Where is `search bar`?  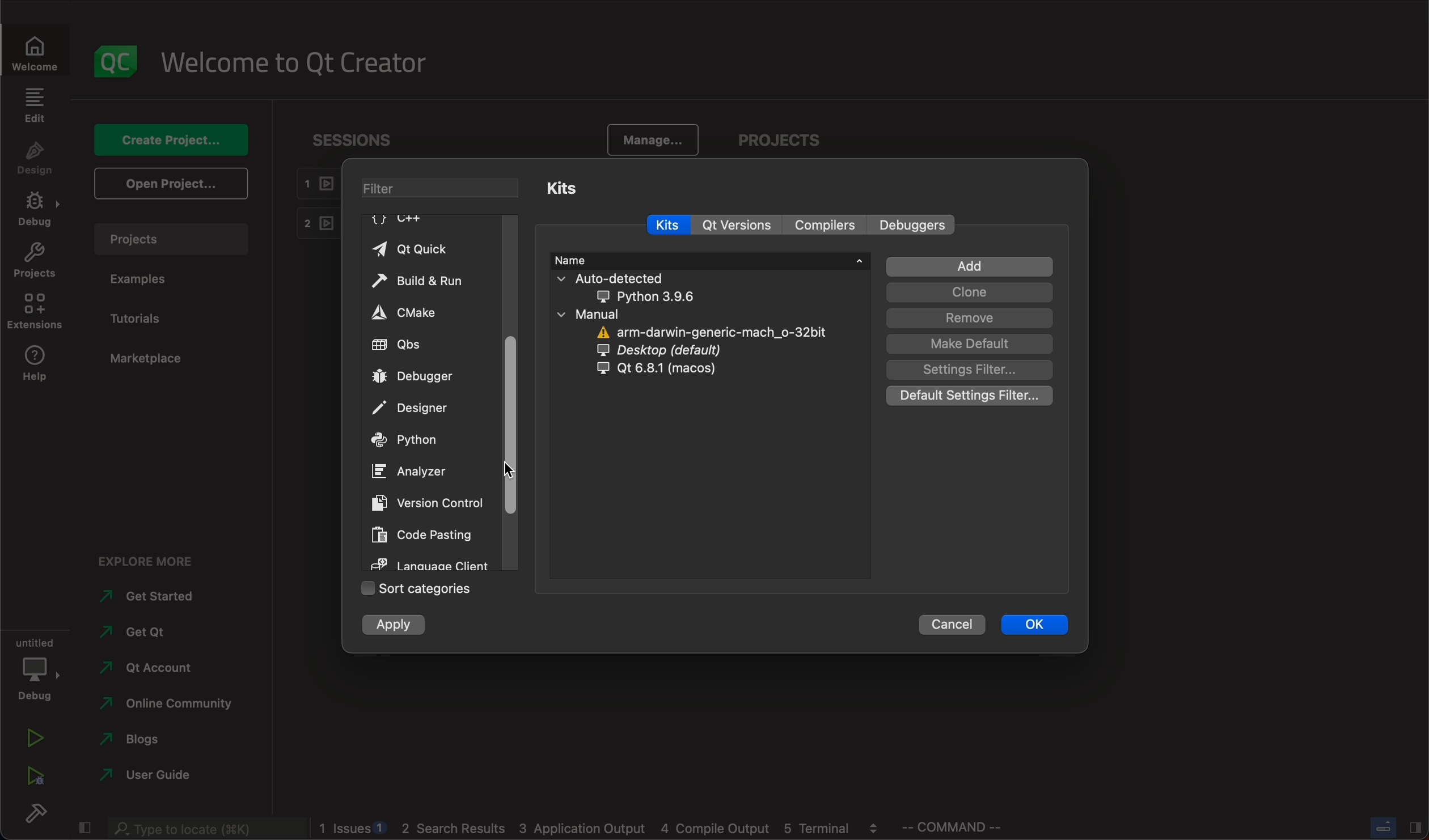
search bar is located at coordinates (204, 828).